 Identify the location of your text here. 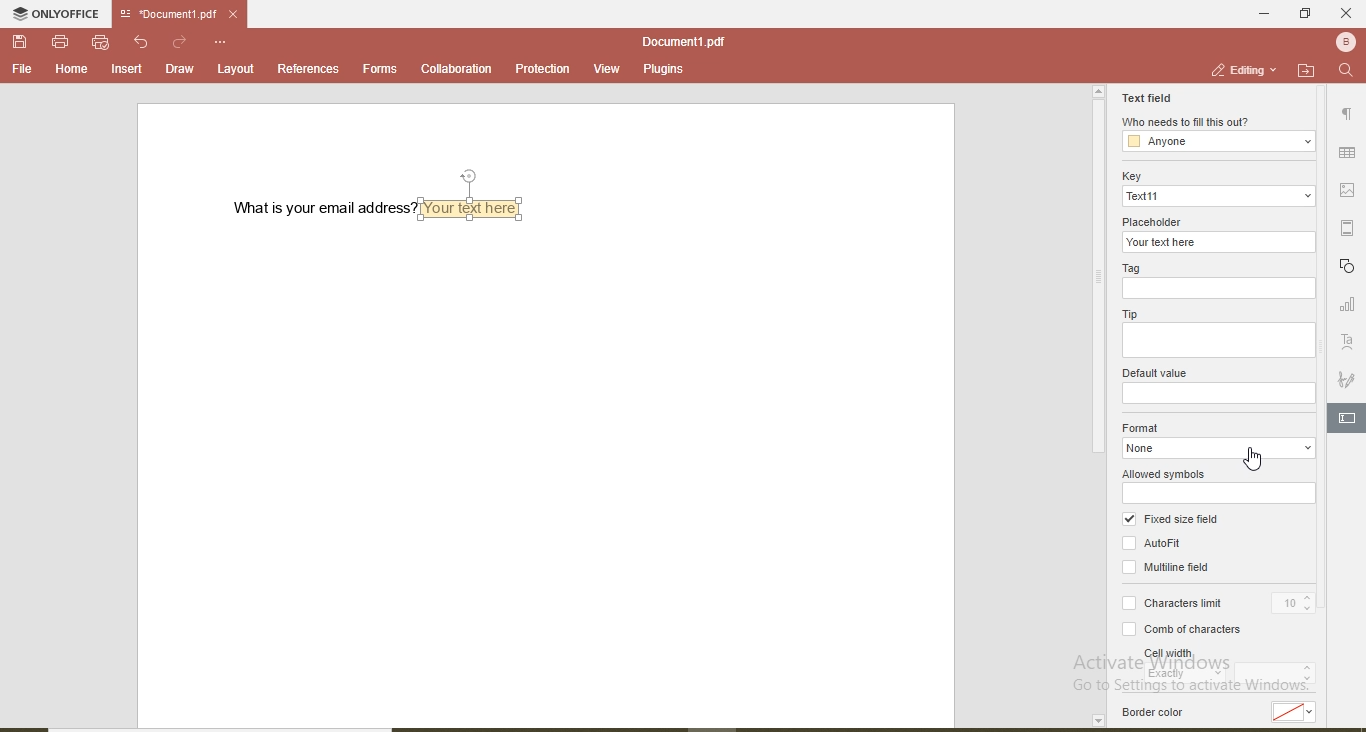
(1220, 242).